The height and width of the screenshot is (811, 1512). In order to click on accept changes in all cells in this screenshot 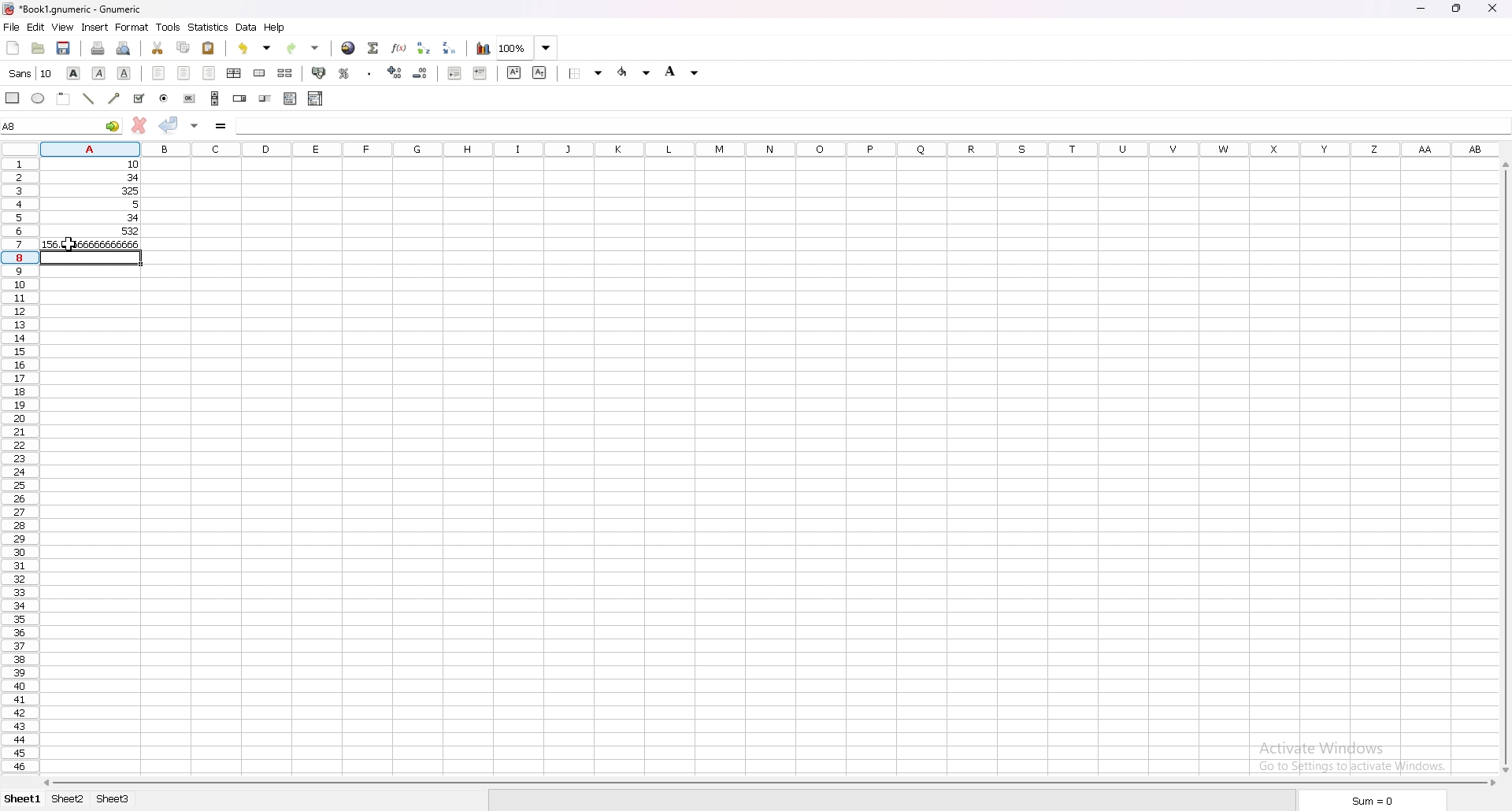, I will do `click(194, 124)`.